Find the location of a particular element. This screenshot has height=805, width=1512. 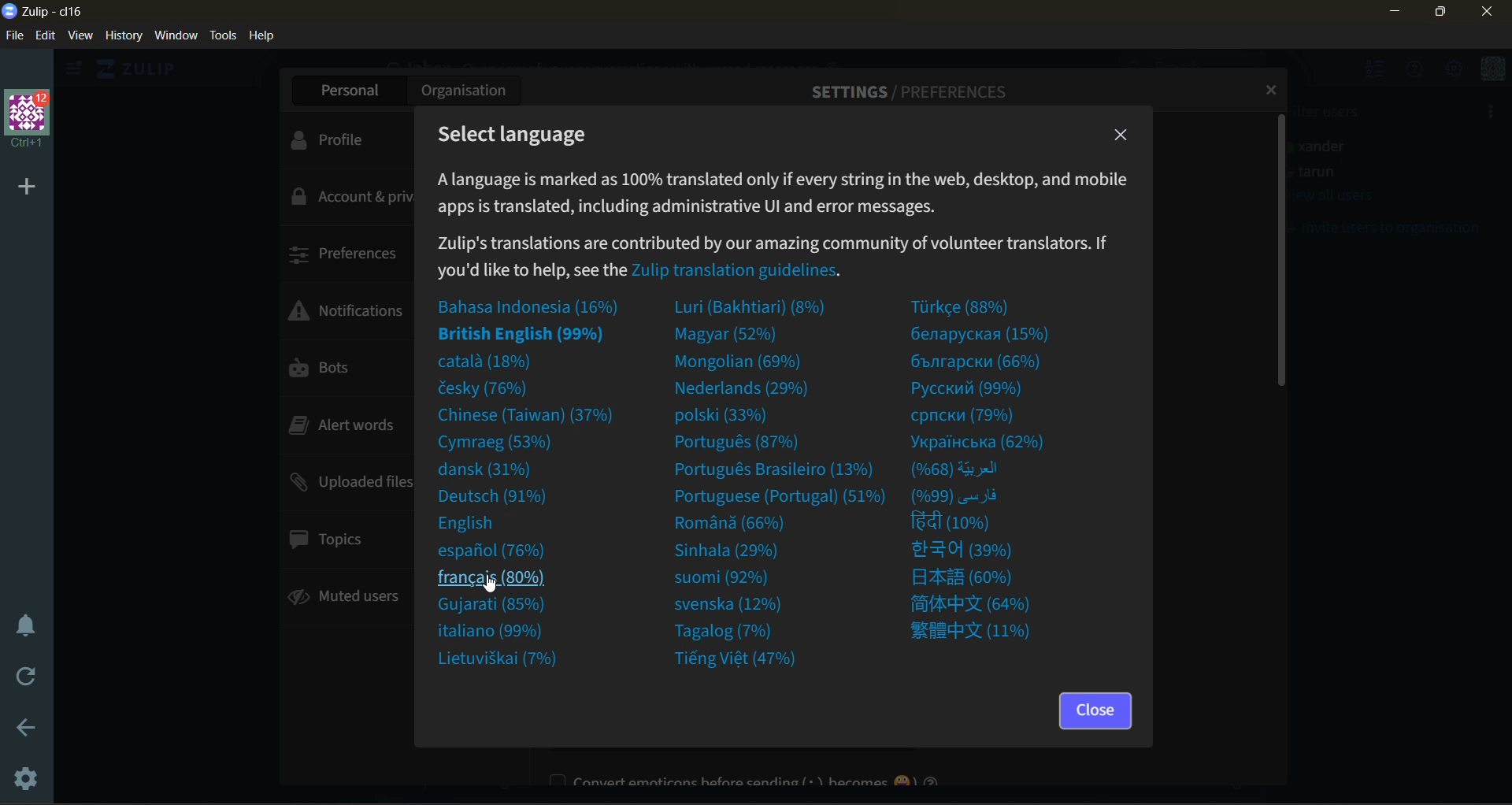

tools is located at coordinates (222, 35).